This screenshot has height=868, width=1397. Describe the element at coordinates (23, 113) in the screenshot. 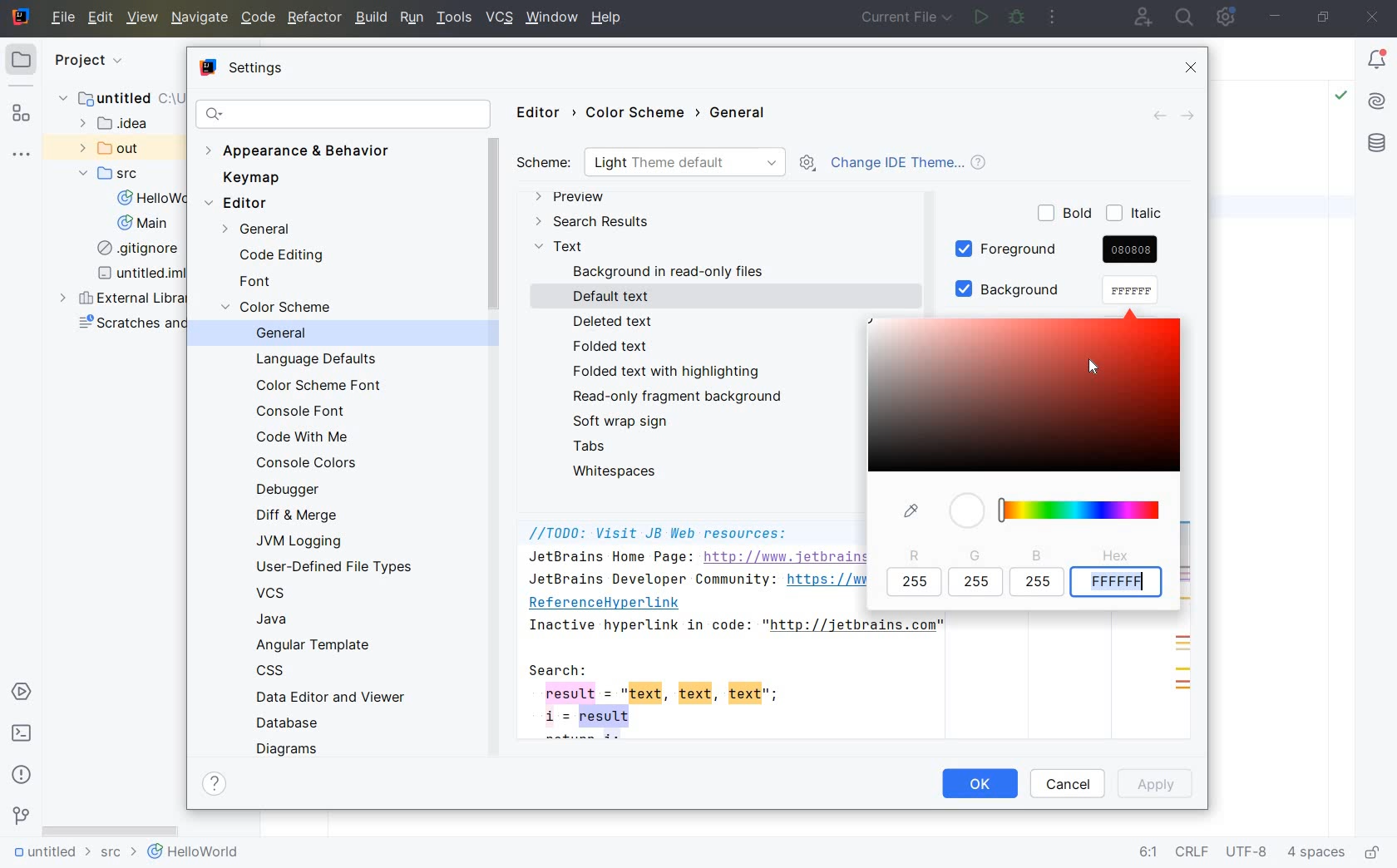

I see `structure` at that location.